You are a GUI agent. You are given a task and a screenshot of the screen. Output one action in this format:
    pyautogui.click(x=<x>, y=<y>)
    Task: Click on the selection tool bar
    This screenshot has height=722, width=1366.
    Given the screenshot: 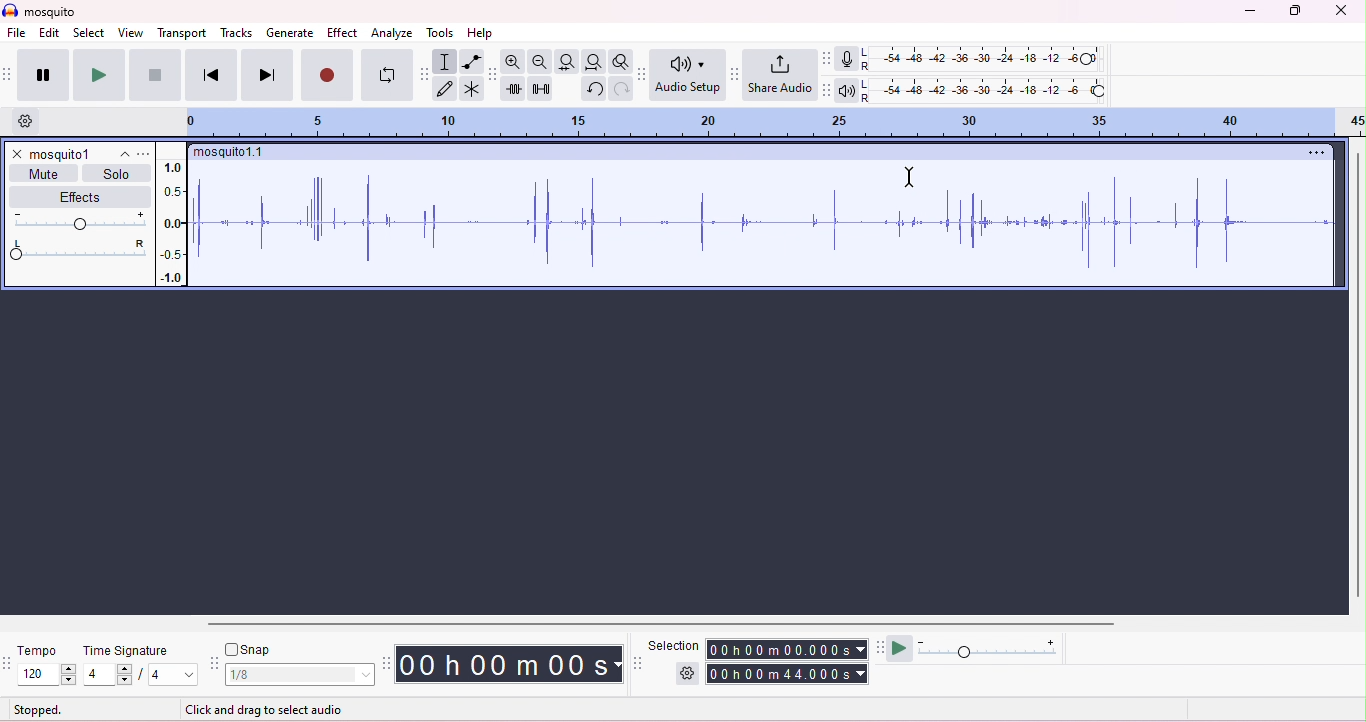 What is the action you would take?
    pyautogui.click(x=639, y=663)
    